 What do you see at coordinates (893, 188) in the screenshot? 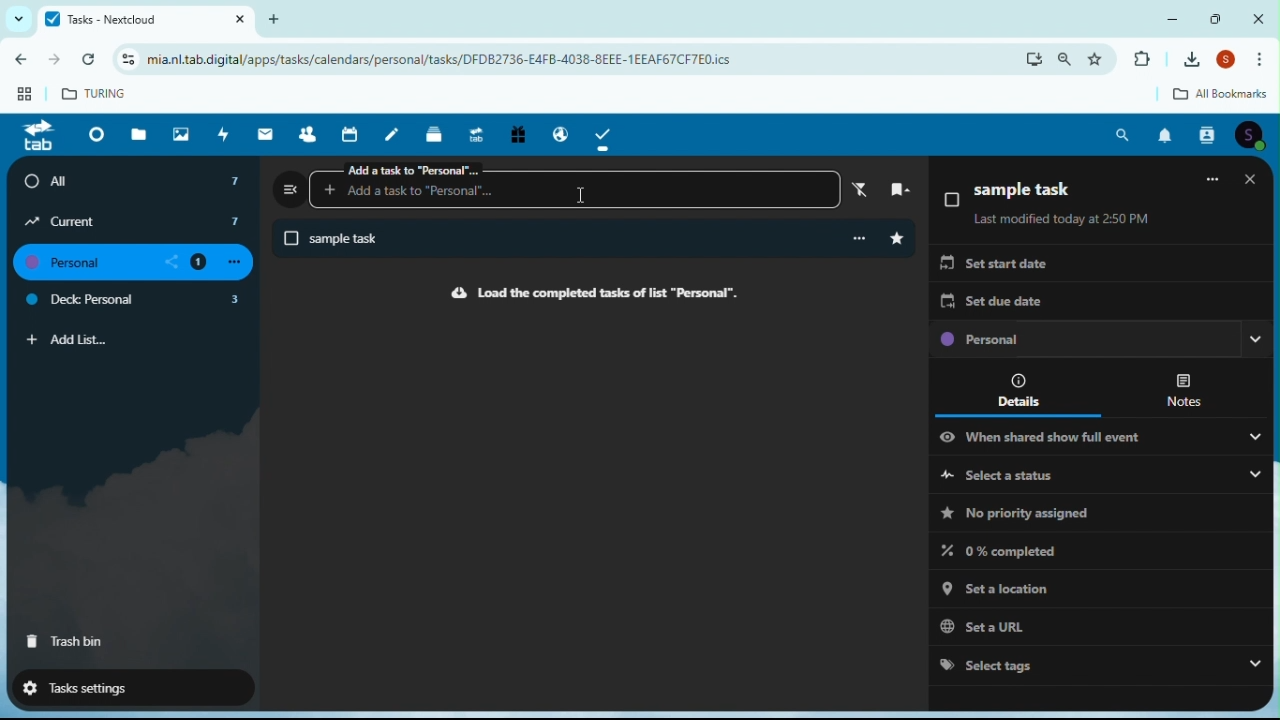
I see `bookmark` at bounding box center [893, 188].